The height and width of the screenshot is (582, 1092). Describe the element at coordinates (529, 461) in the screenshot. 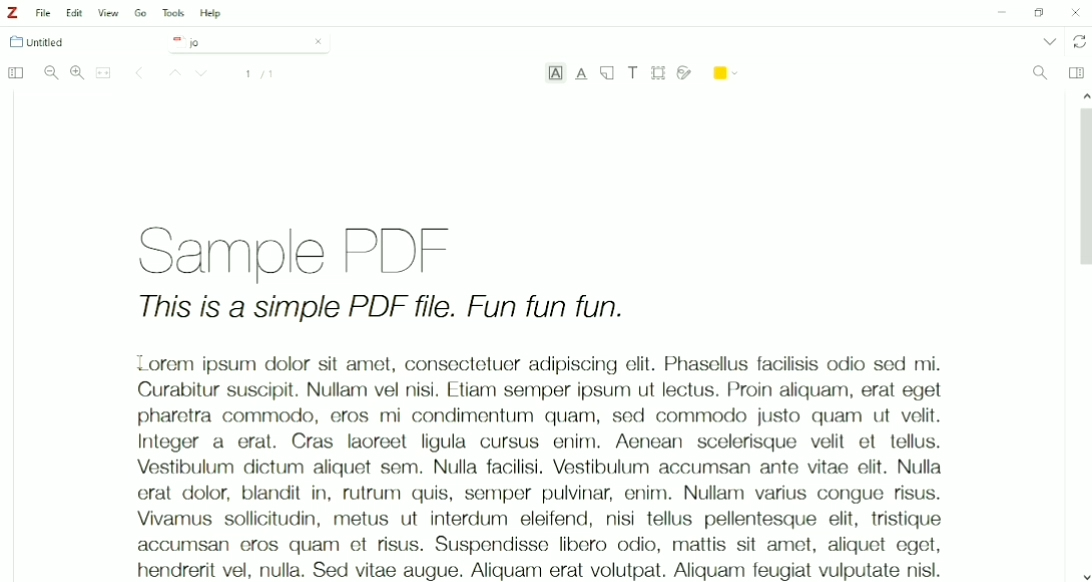

I see `Lorem ipsum dolor sit amet, consectetur adipiscing elit, sed do eiusmod tempor incididunt ut labore et dolore magna aliqua. Ut enim ad minim veniam, quis nostrud exercitation ullamco laboris nisi ut aliquip ex ea commodo consequat. Duis aute irure dolor in reprehenderit in voluptate velit esse cillum dolore eu fugiat nulla pariatur. Excepteur sint occaecat cupidatat non proident, sunt in culpa qui officia deserunt mollit anim id est laborum` at that location.